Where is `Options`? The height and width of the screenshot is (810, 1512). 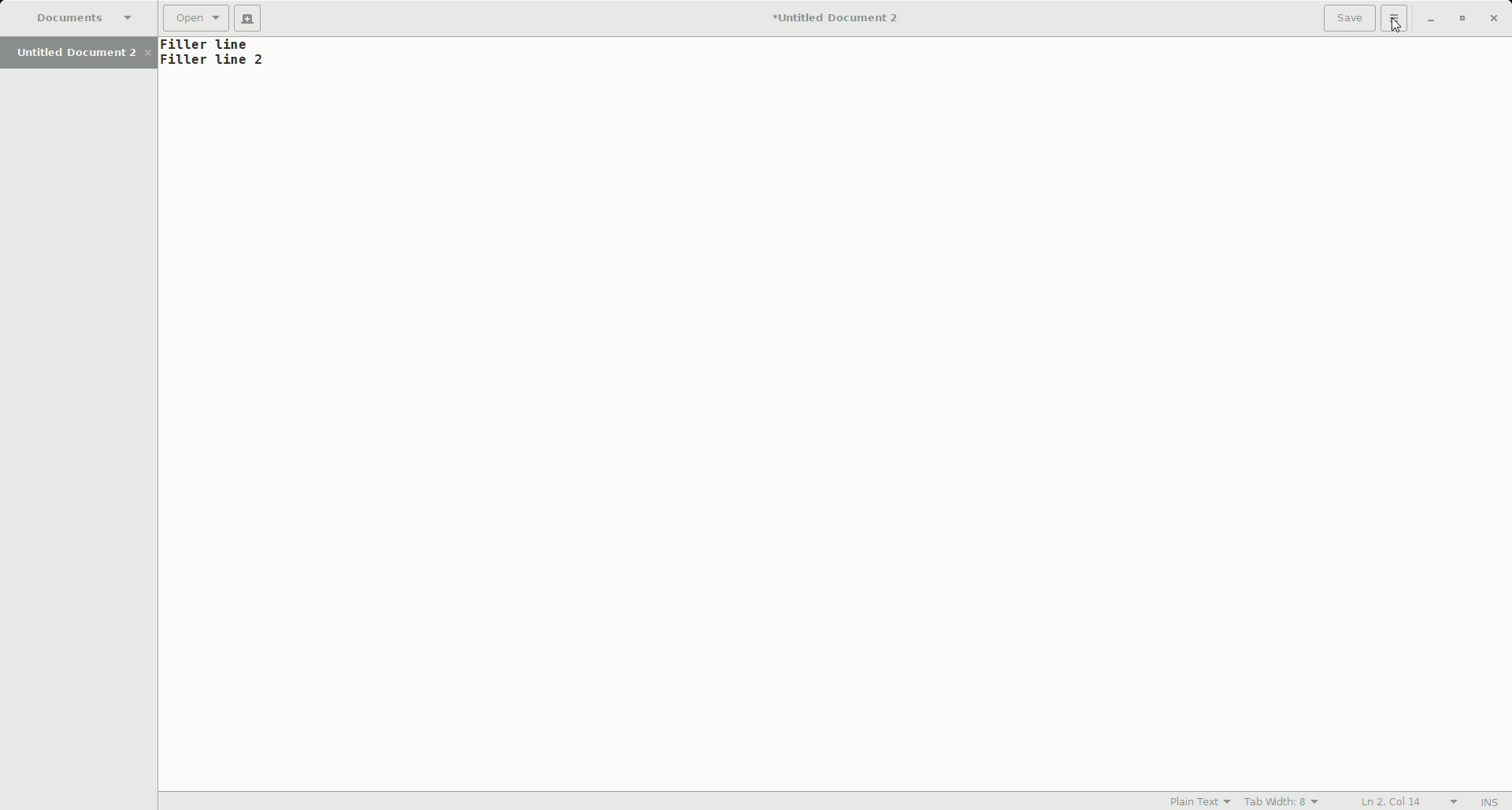 Options is located at coordinates (1395, 19).